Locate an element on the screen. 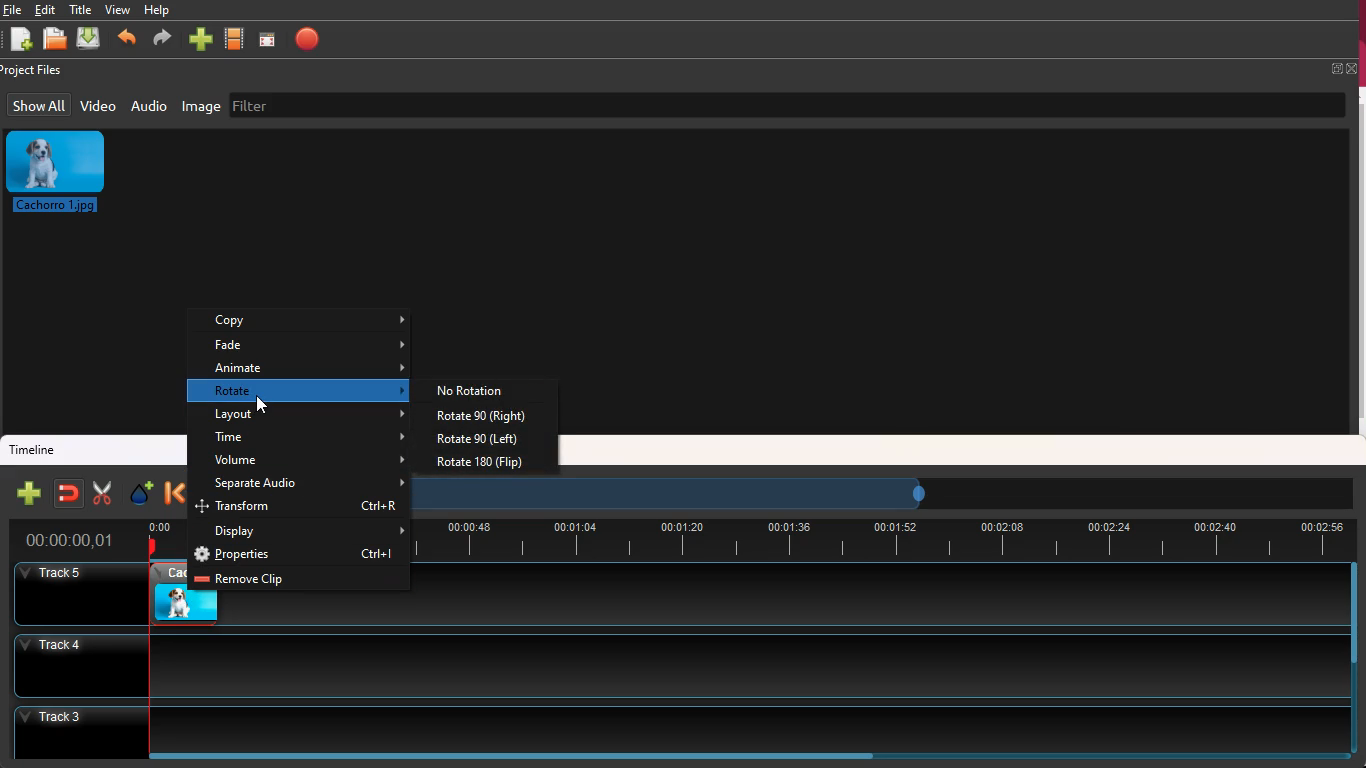 The image size is (1366, 768). edit is located at coordinates (45, 10).